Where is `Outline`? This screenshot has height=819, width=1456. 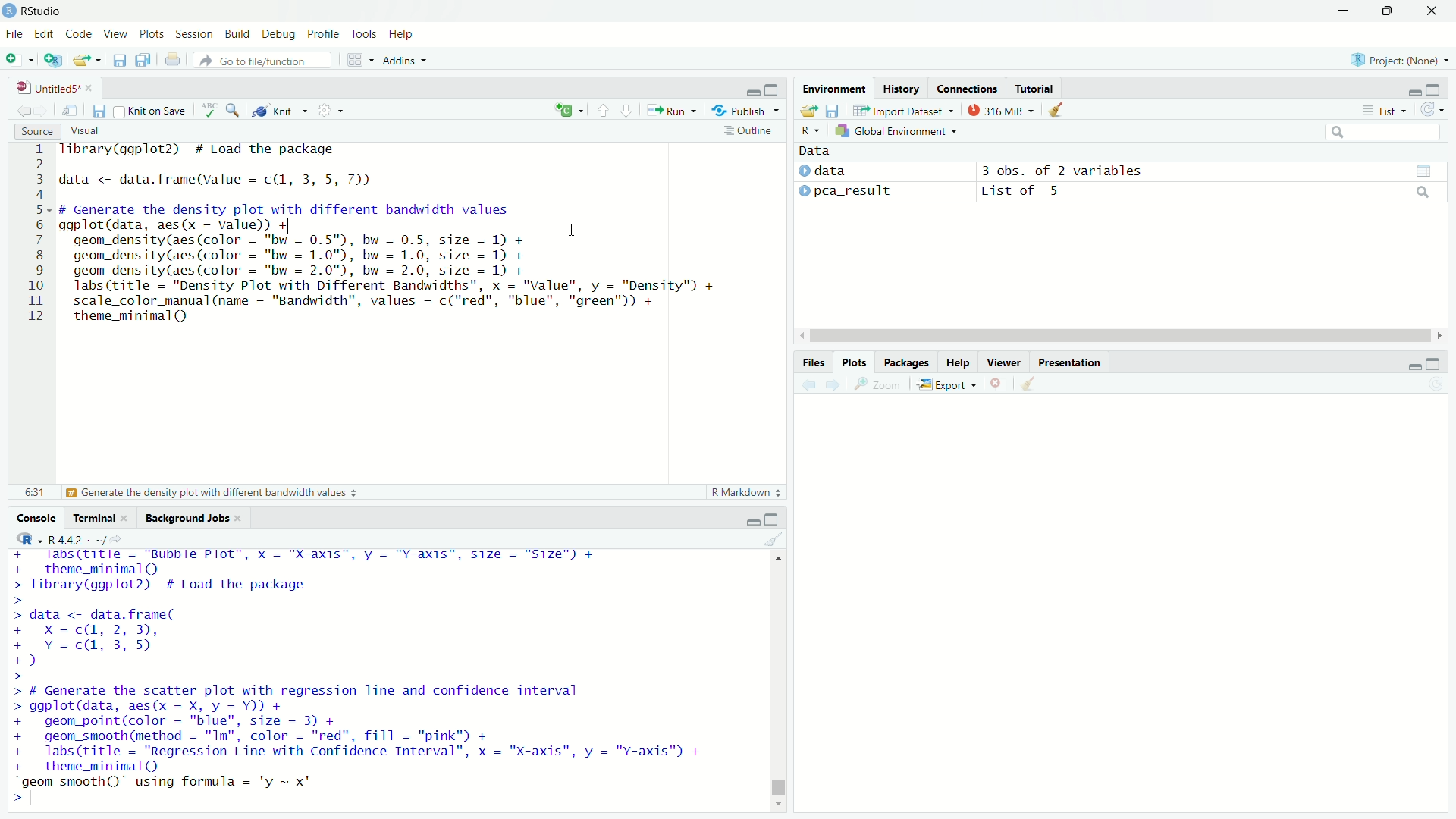
Outline is located at coordinates (752, 130).